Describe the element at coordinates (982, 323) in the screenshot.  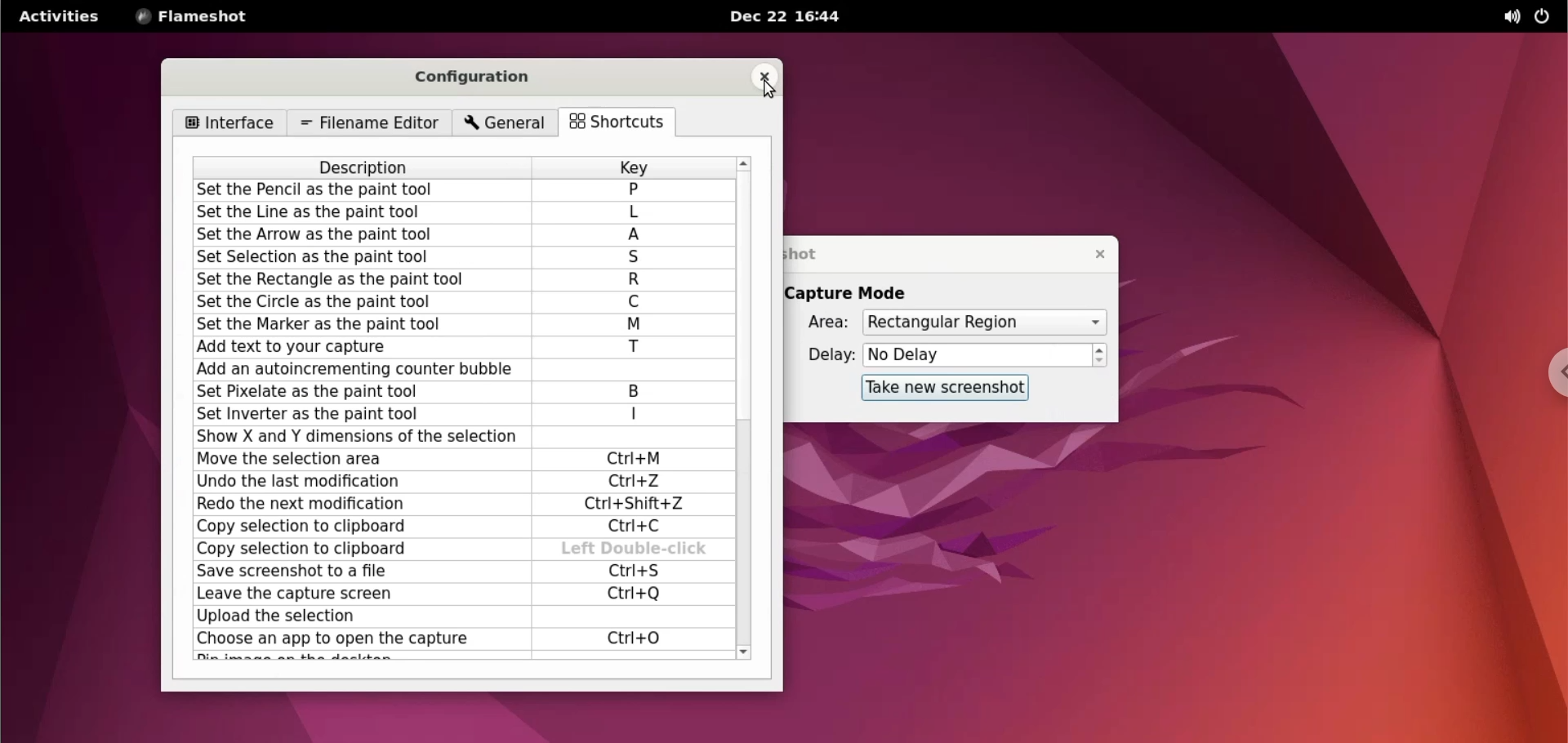
I see `capture area options` at that location.